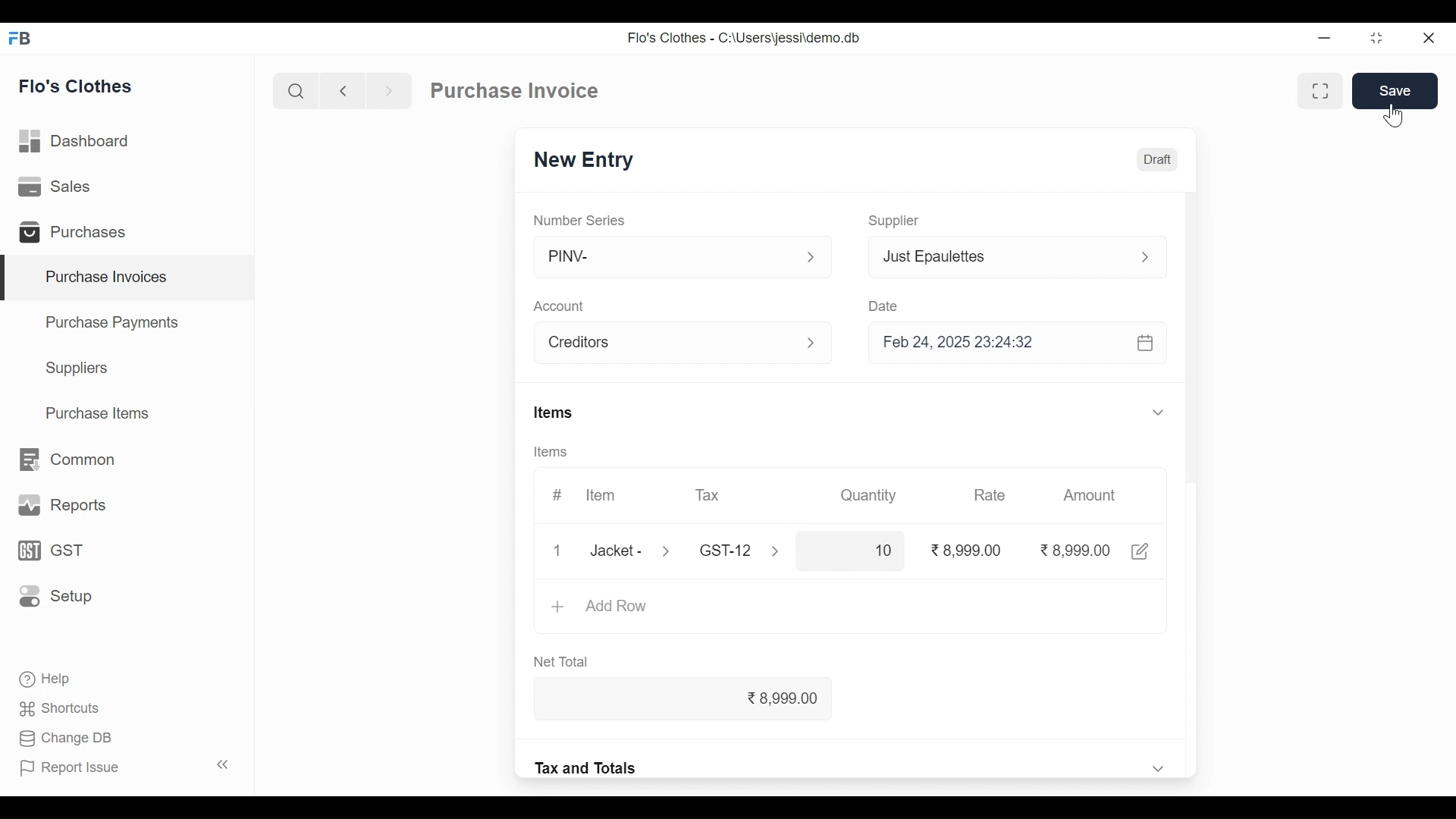  What do you see at coordinates (701, 700) in the screenshot?
I see `8,999.00` at bounding box center [701, 700].